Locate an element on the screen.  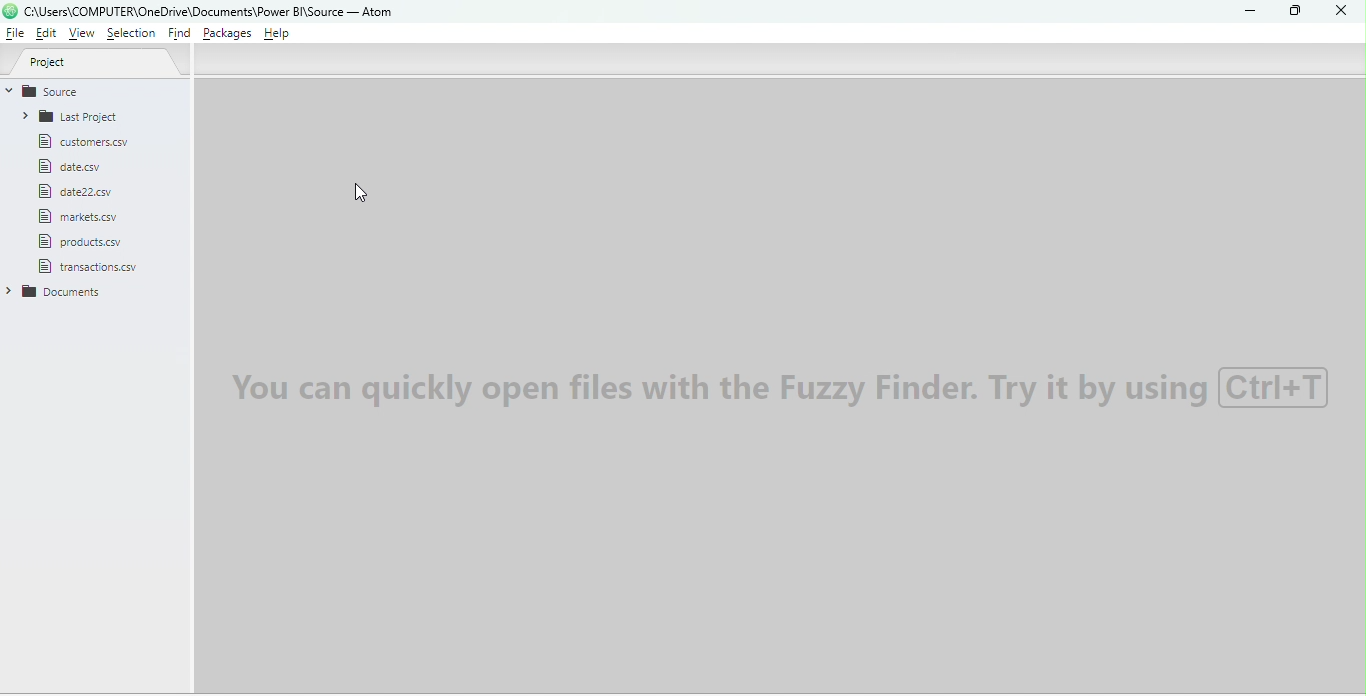
Minimize is located at coordinates (1247, 11).